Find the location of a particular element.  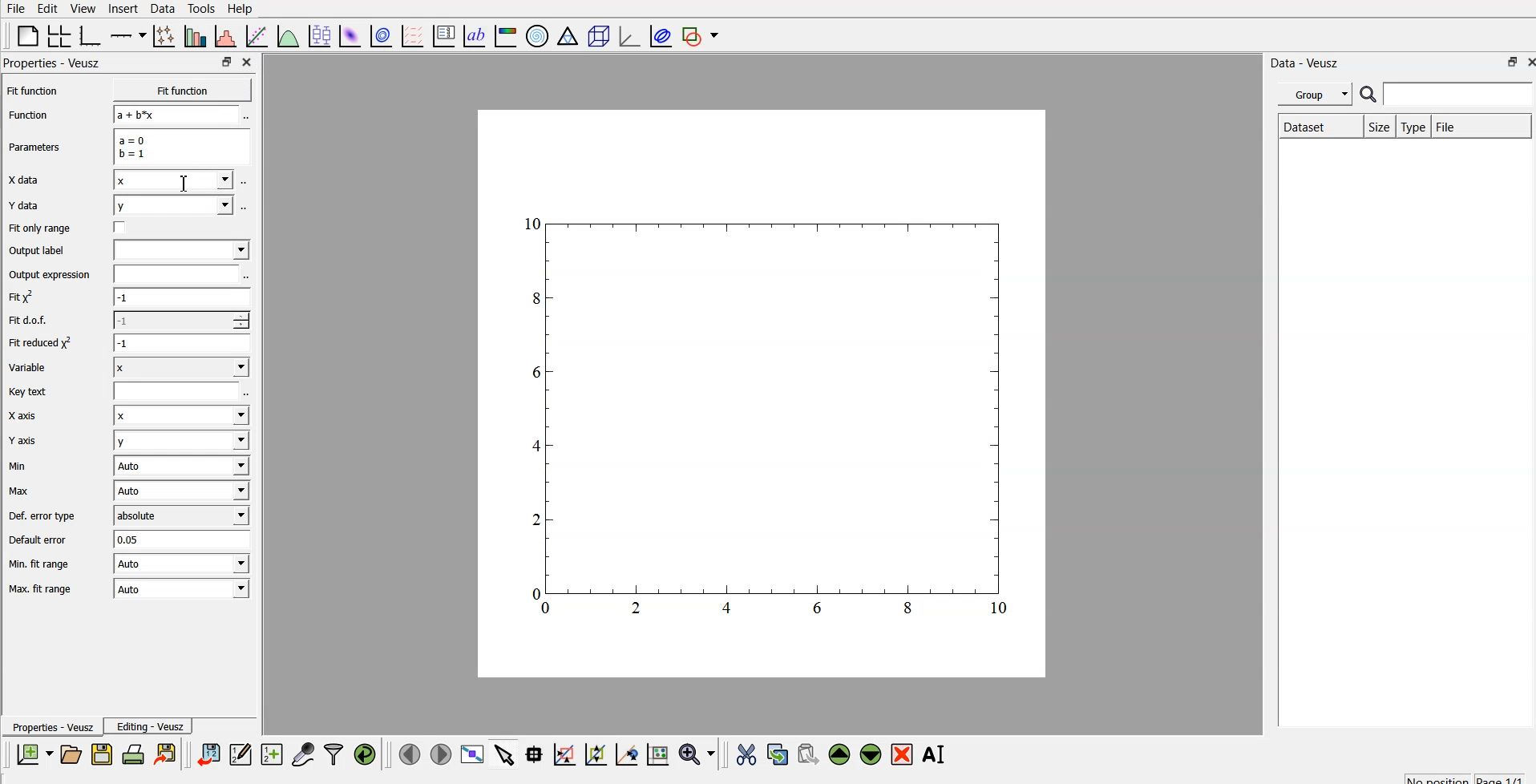

add shape is located at coordinates (705, 36).